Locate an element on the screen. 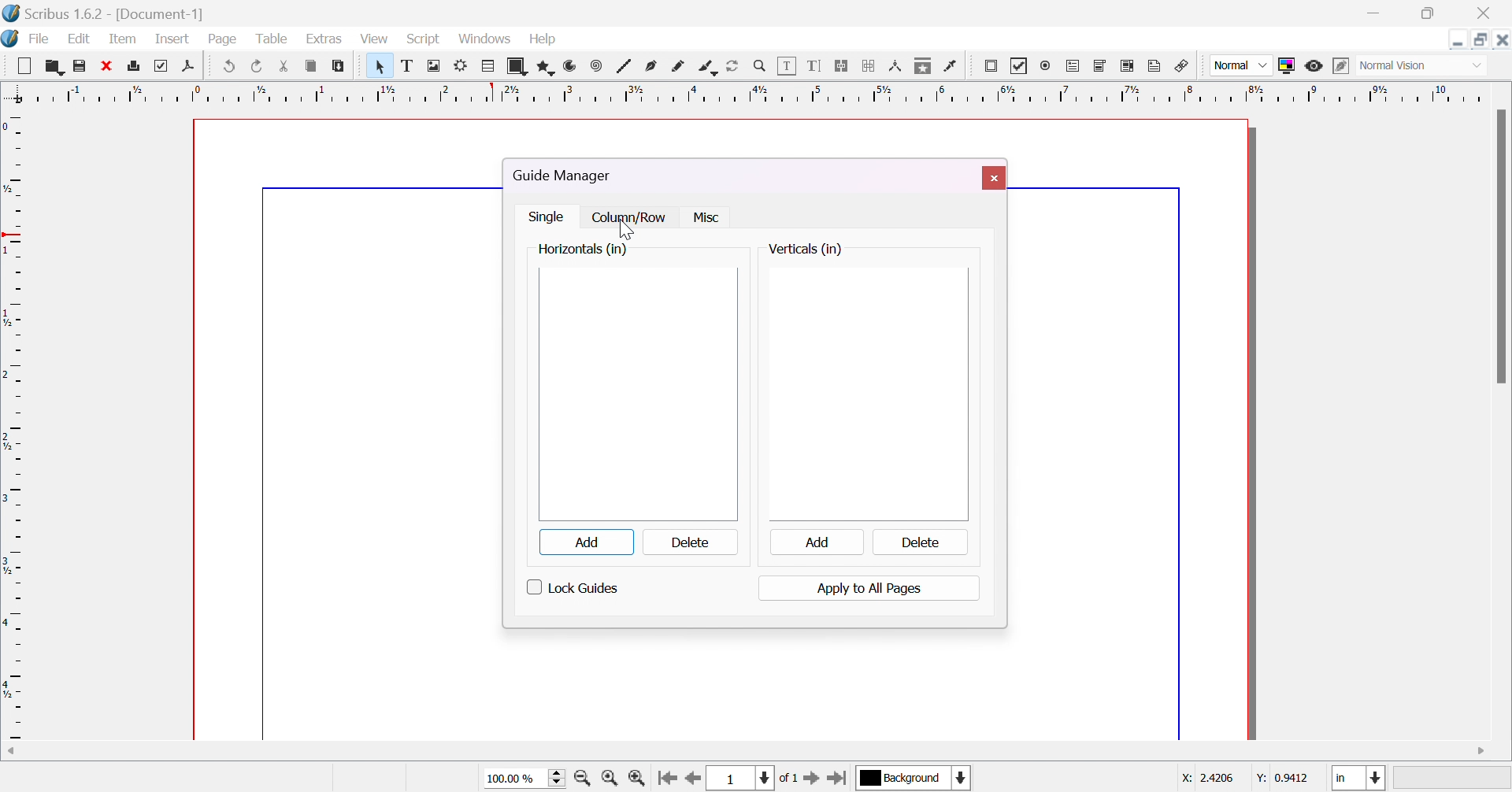 The height and width of the screenshot is (792, 1512). minimize is located at coordinates (1371, 13).